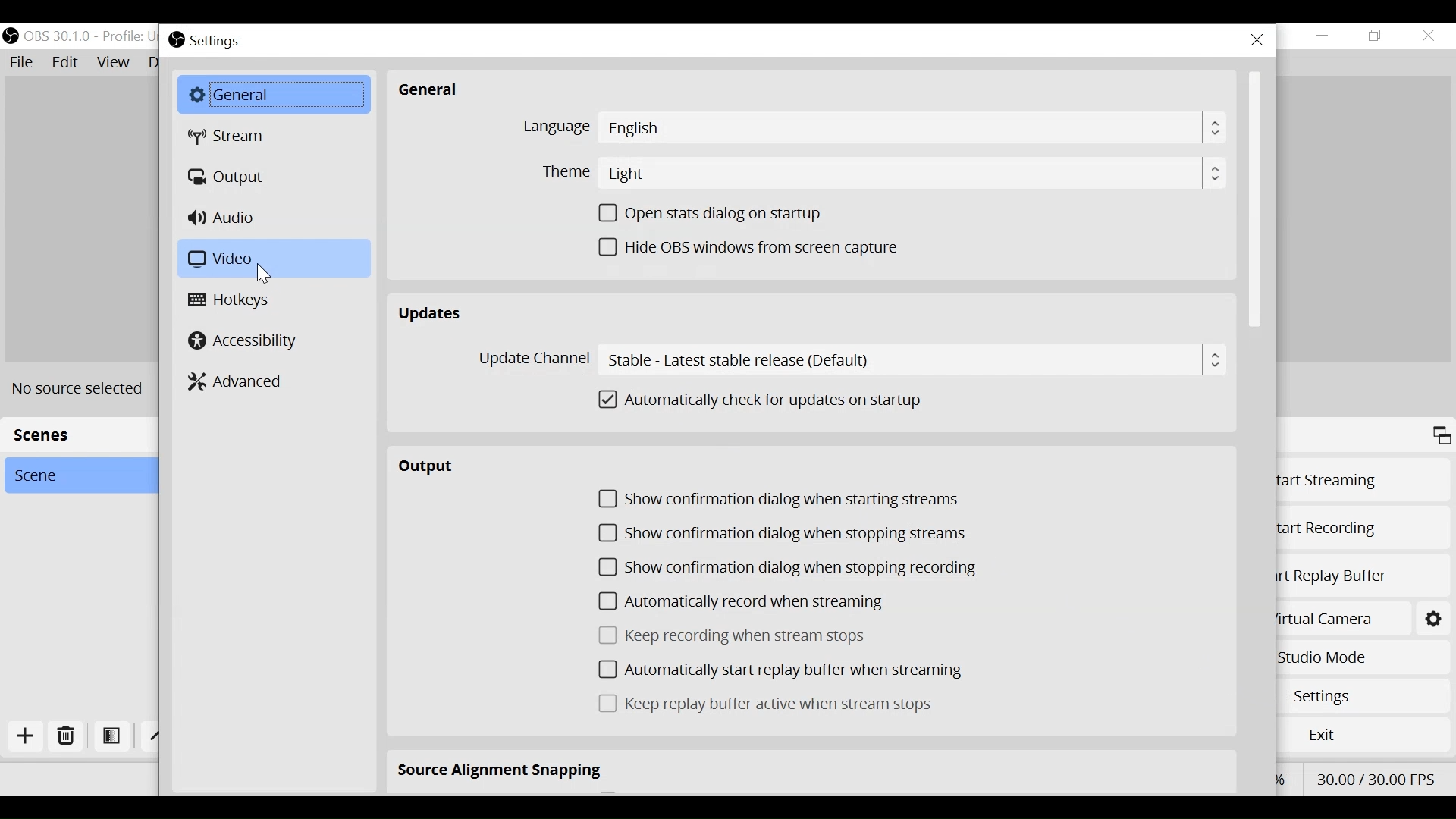 The width and height of the screenshot is (1456, 819). I want to click on Restore, so click(1376, 36).